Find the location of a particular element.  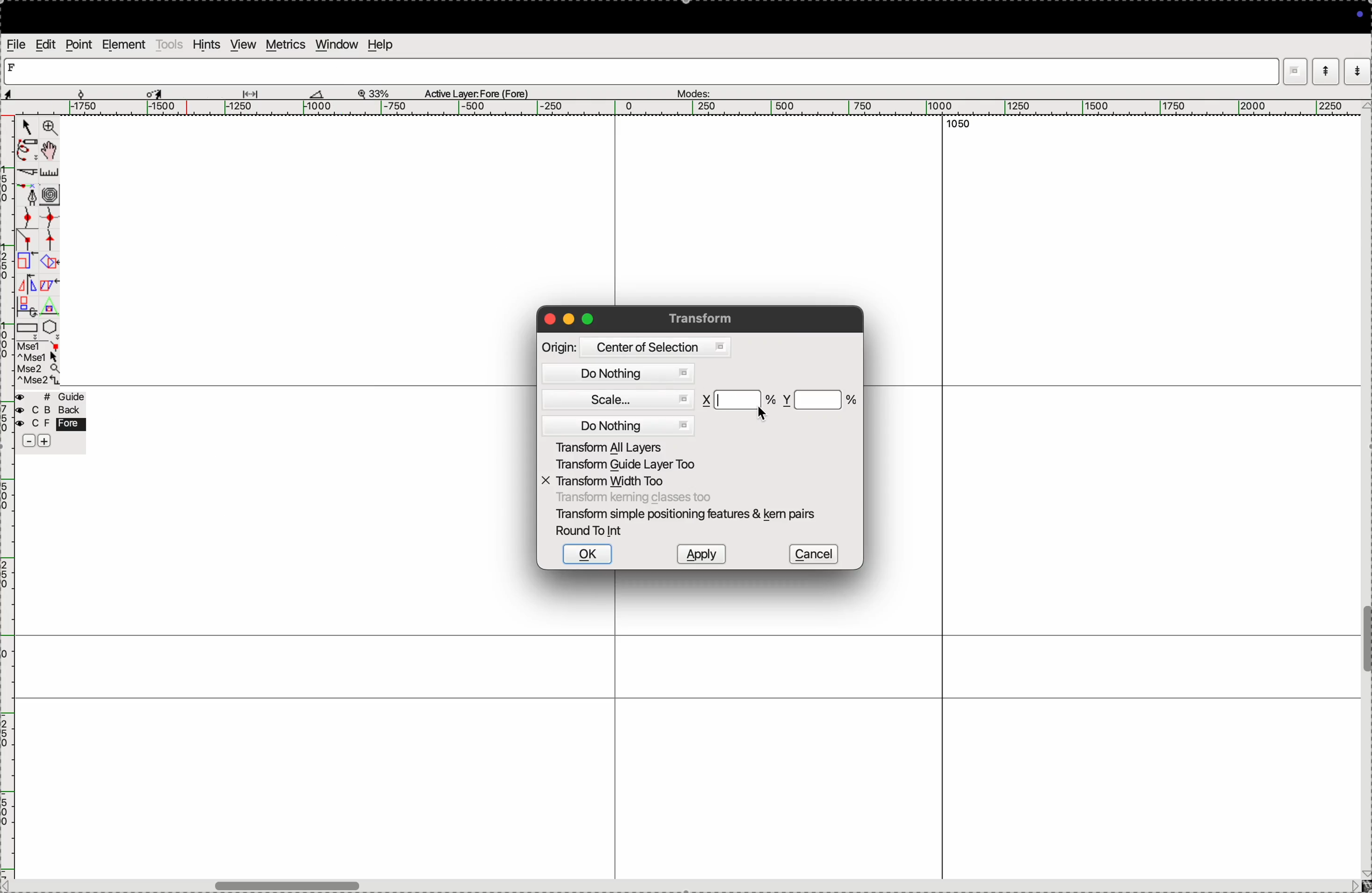

sbubtract is located at coordinates (24, 442).